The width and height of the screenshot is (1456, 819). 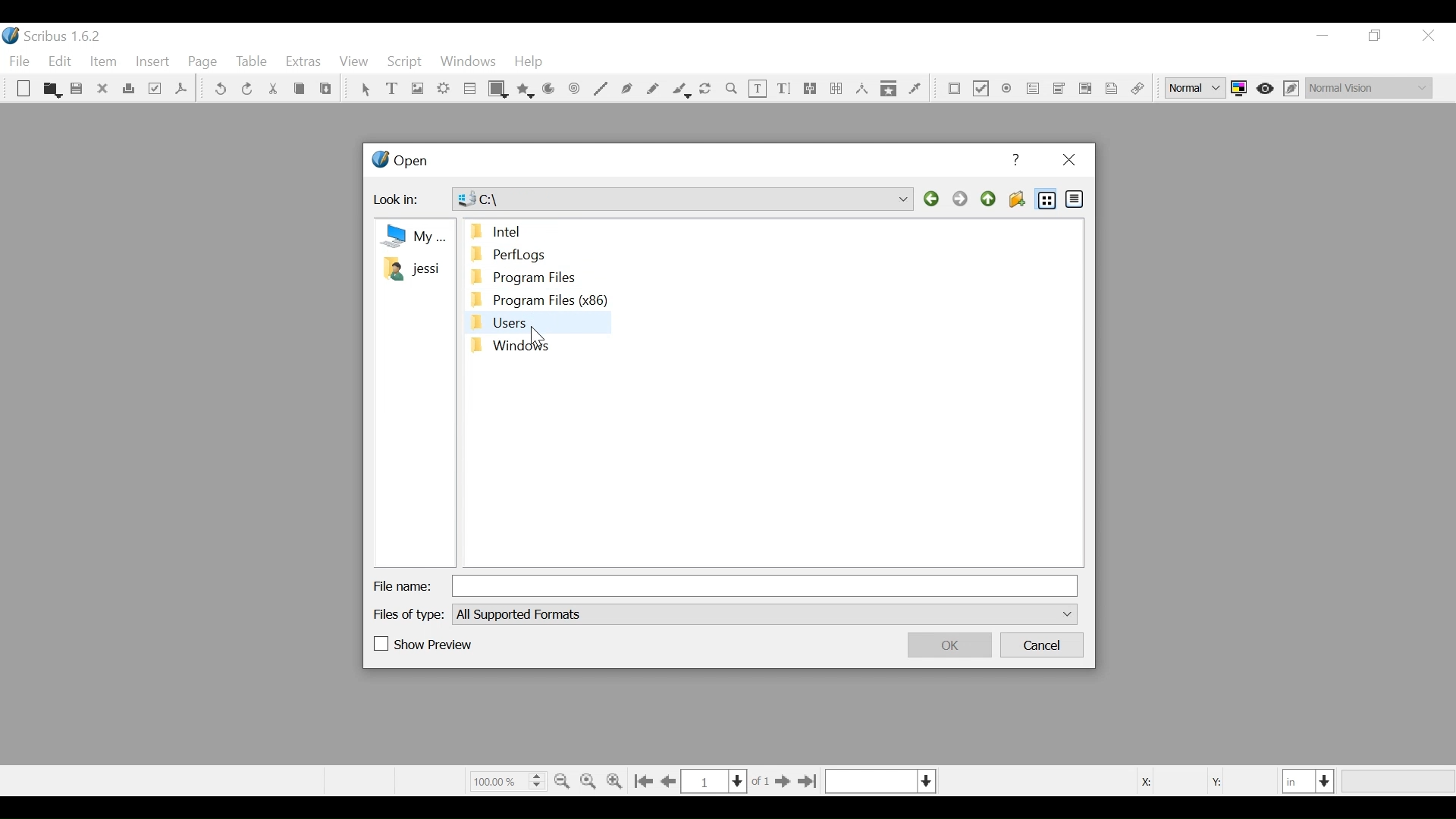 I want to click on Scribus Desktop Icon, so click(x=56, y=38).